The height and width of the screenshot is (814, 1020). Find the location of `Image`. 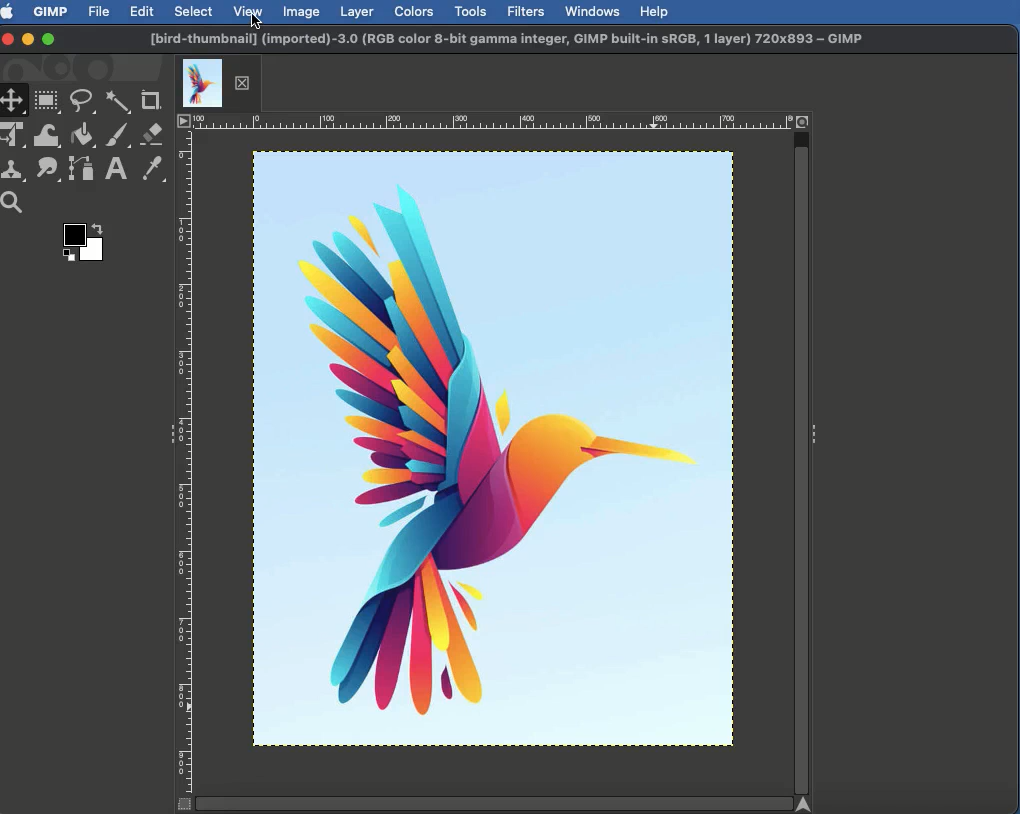

Image is located at coordinates (492, 451).